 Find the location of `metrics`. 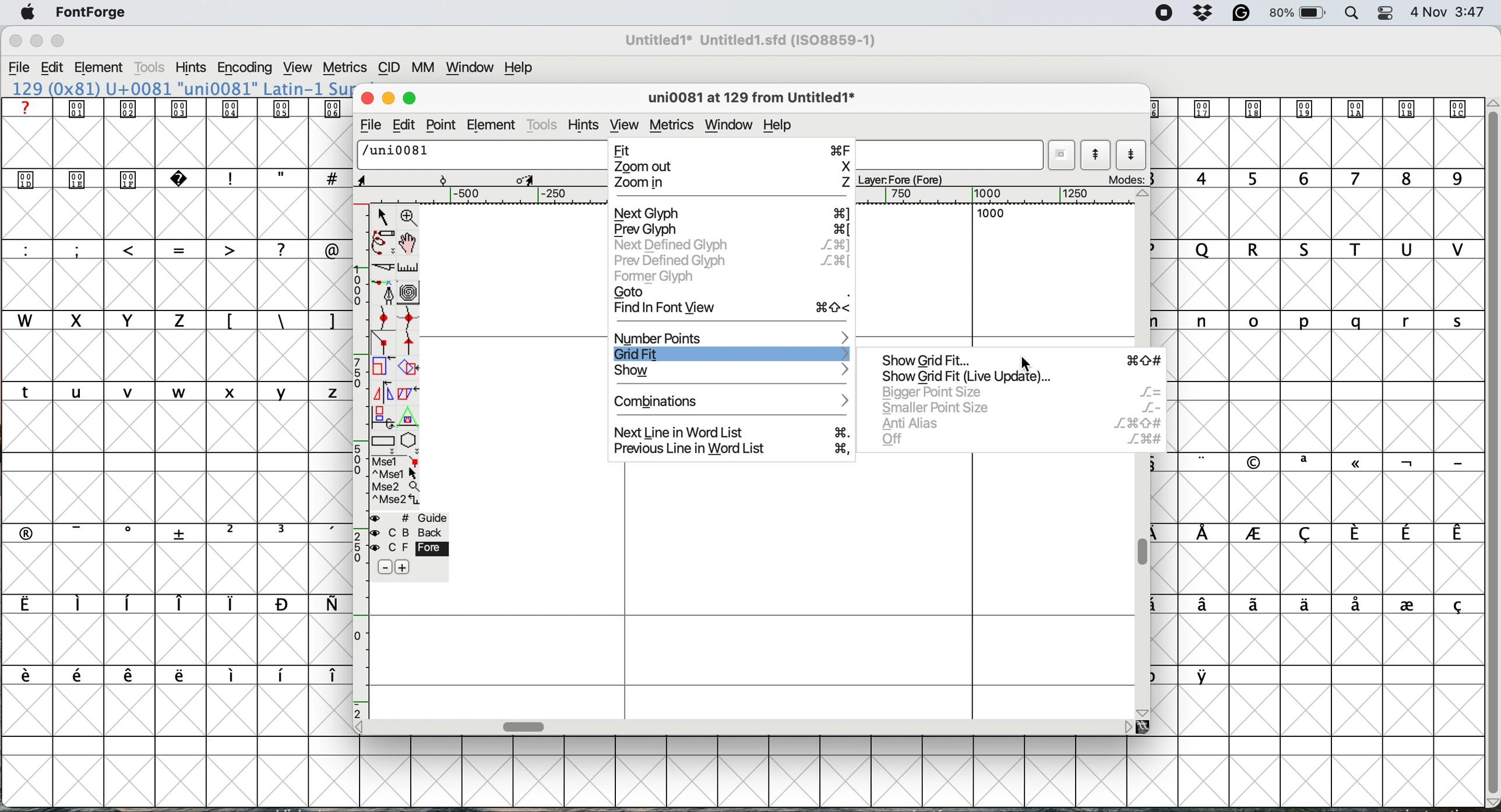

metrics is located at coordinates (672, 125).